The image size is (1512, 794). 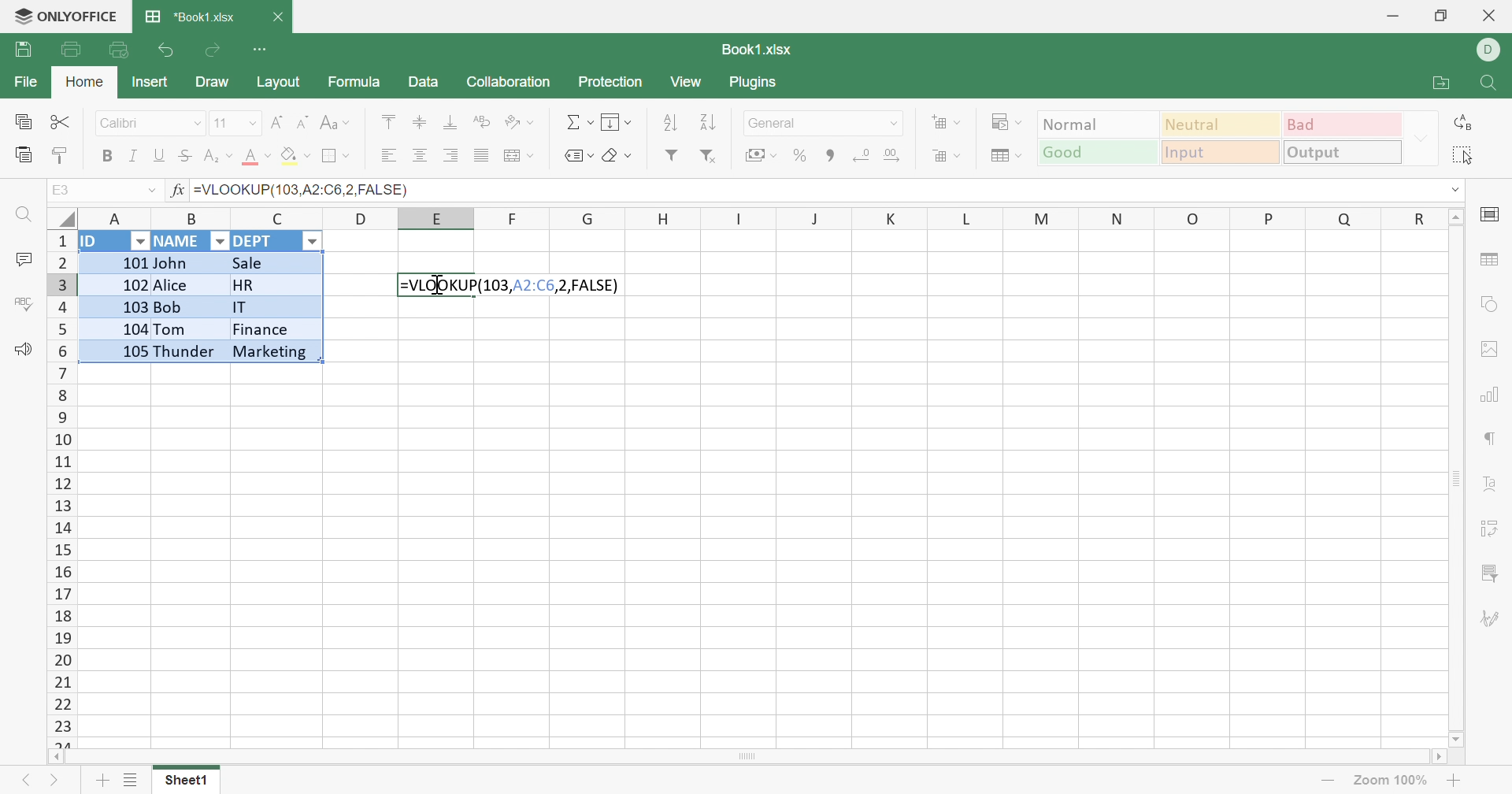 What do you see at coordinates (160, 158) in the screenshot?
I see `Underline` at bounding box center [160, 158].